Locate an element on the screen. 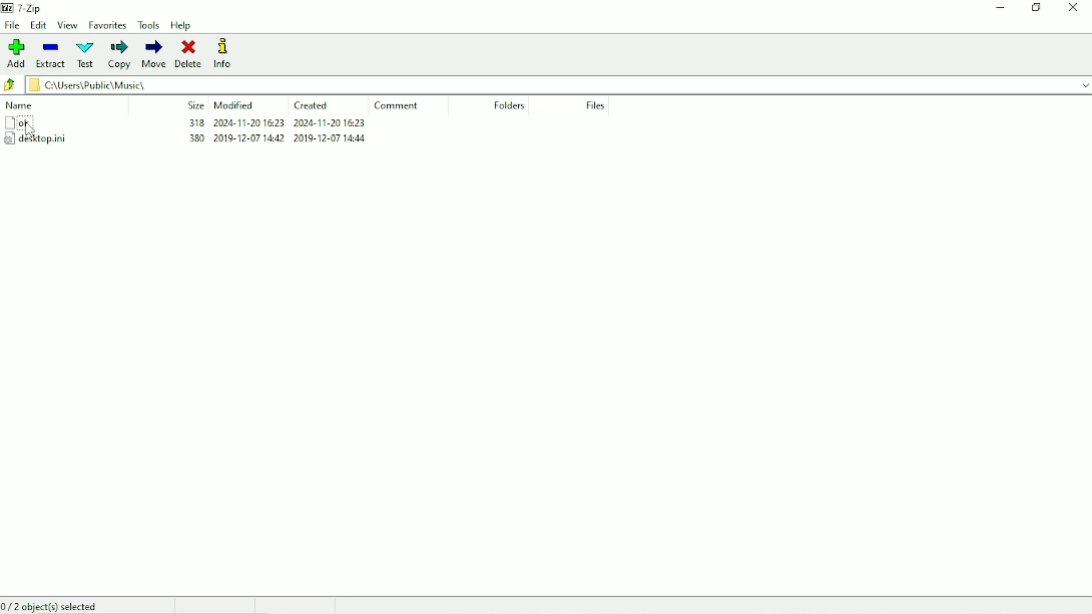  Copy is located at coordinates (120, 54).